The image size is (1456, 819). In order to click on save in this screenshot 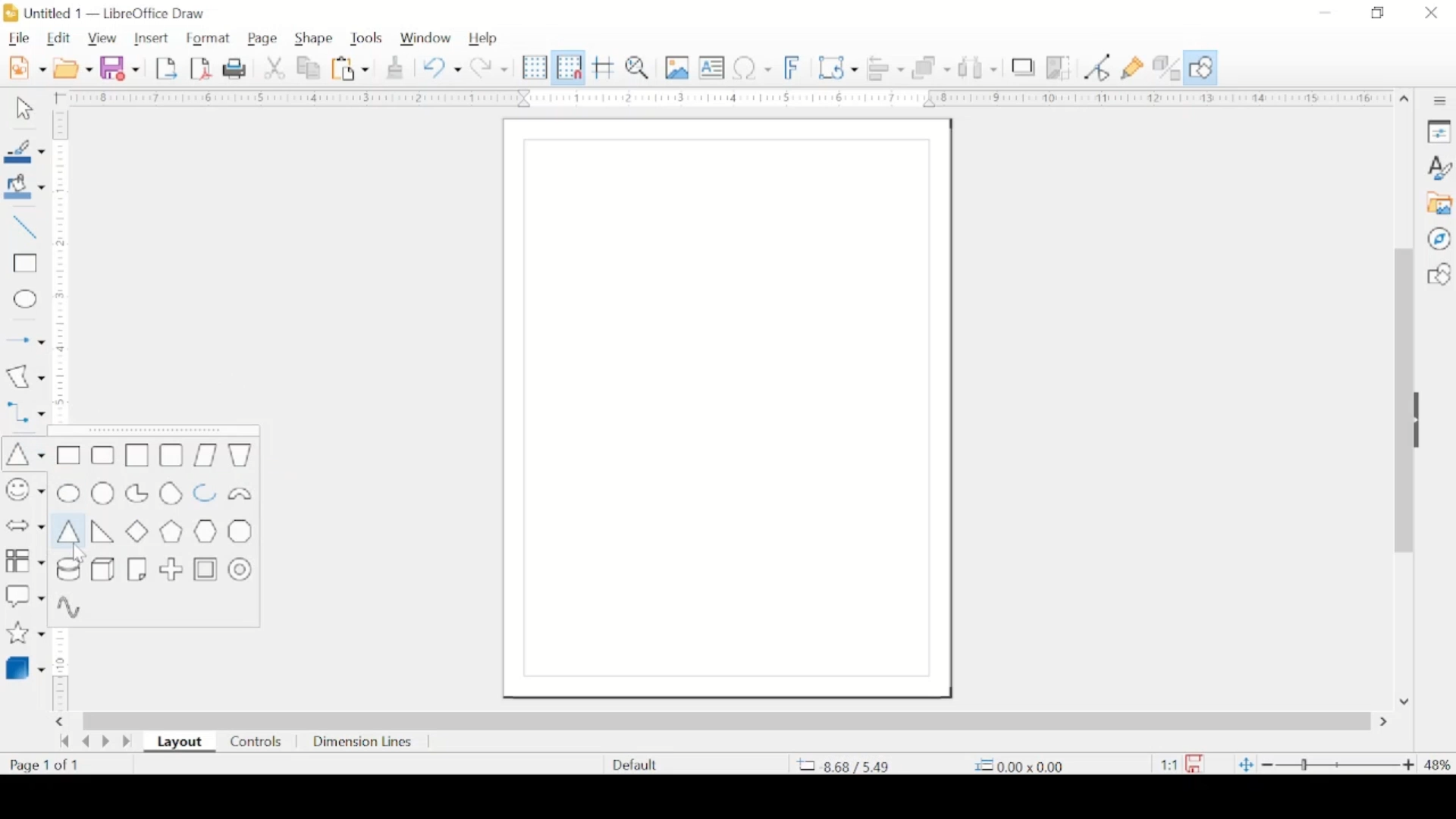, I will do `click(121, 67)`.